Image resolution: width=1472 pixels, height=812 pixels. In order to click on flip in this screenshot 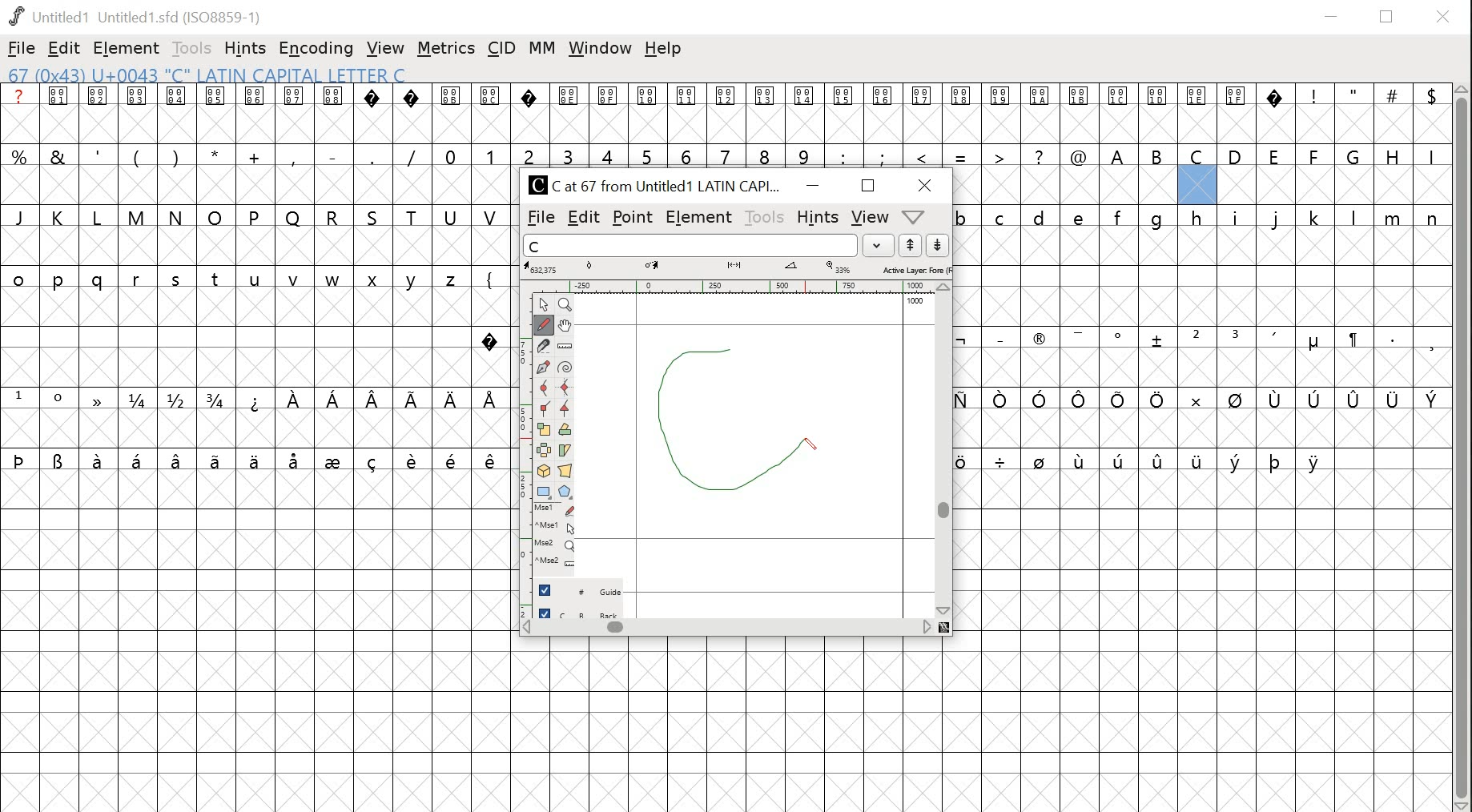, I will do `click(547, 450)`.